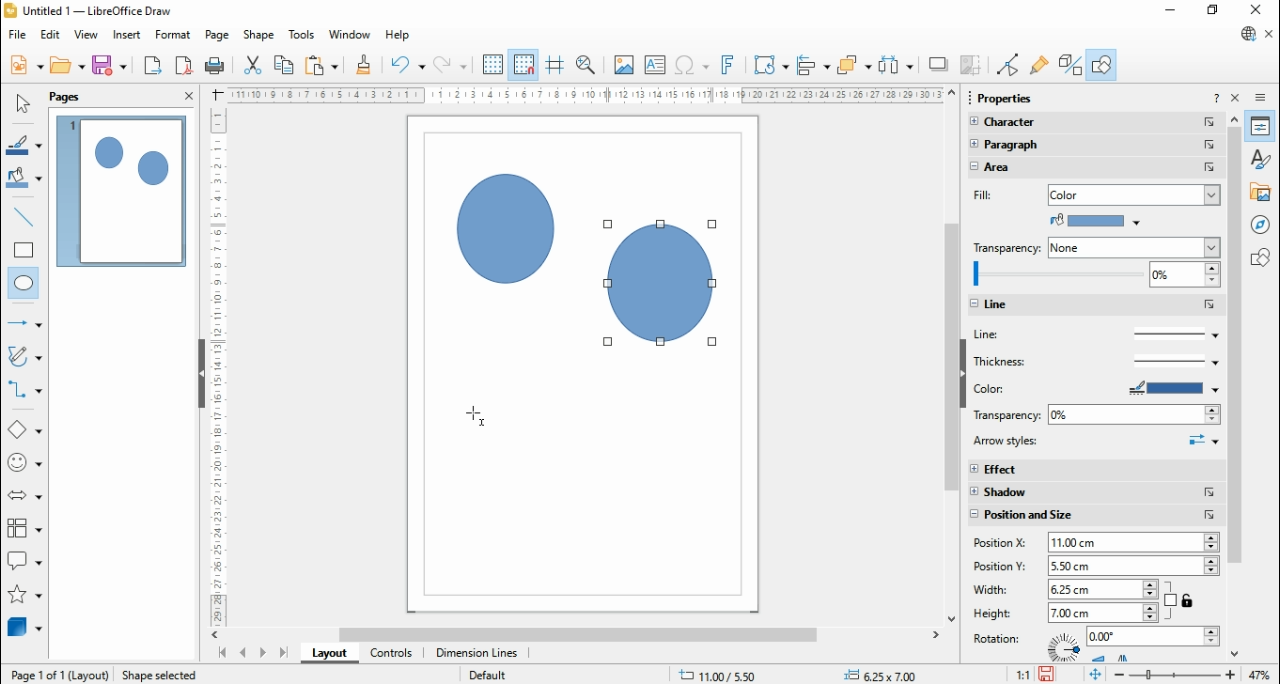 This screenshot has height=684, width=1280. What do you see at coordinates (525, 64) in the screenshot?
I see `snap to grid` at bounding box center [525, 64].